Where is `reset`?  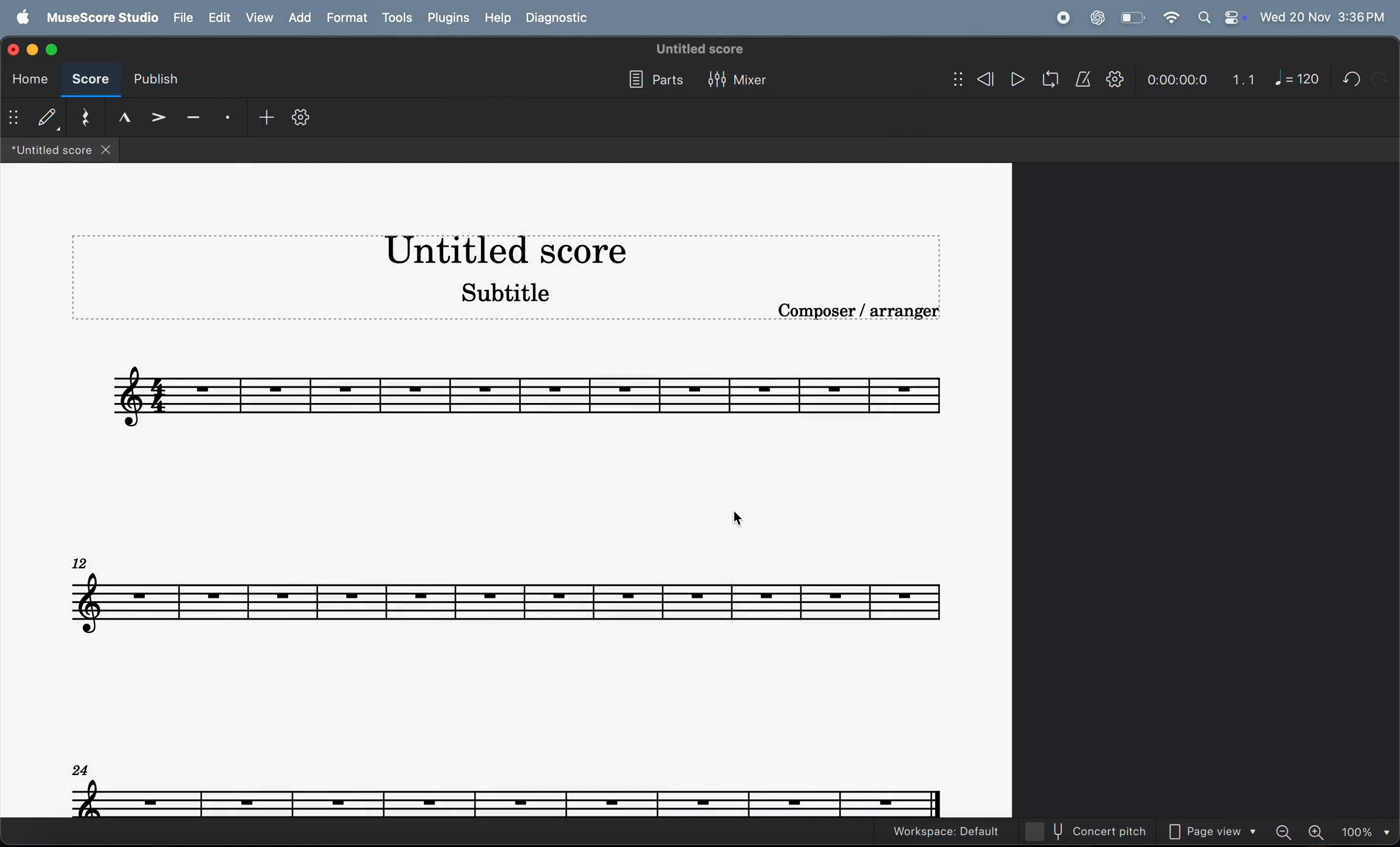 reset is located at coordinates (86, 118).